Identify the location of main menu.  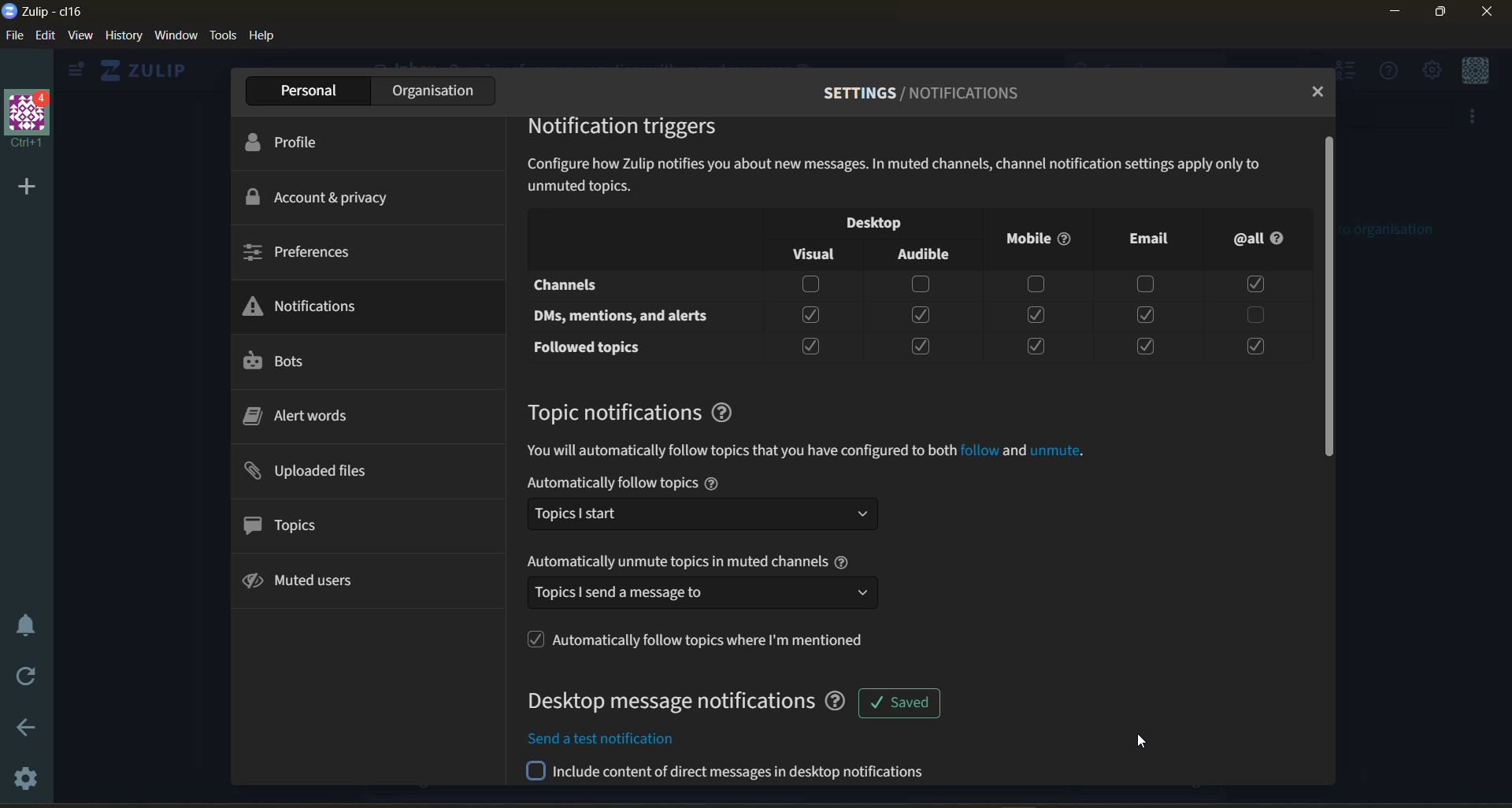
(1431, 70).